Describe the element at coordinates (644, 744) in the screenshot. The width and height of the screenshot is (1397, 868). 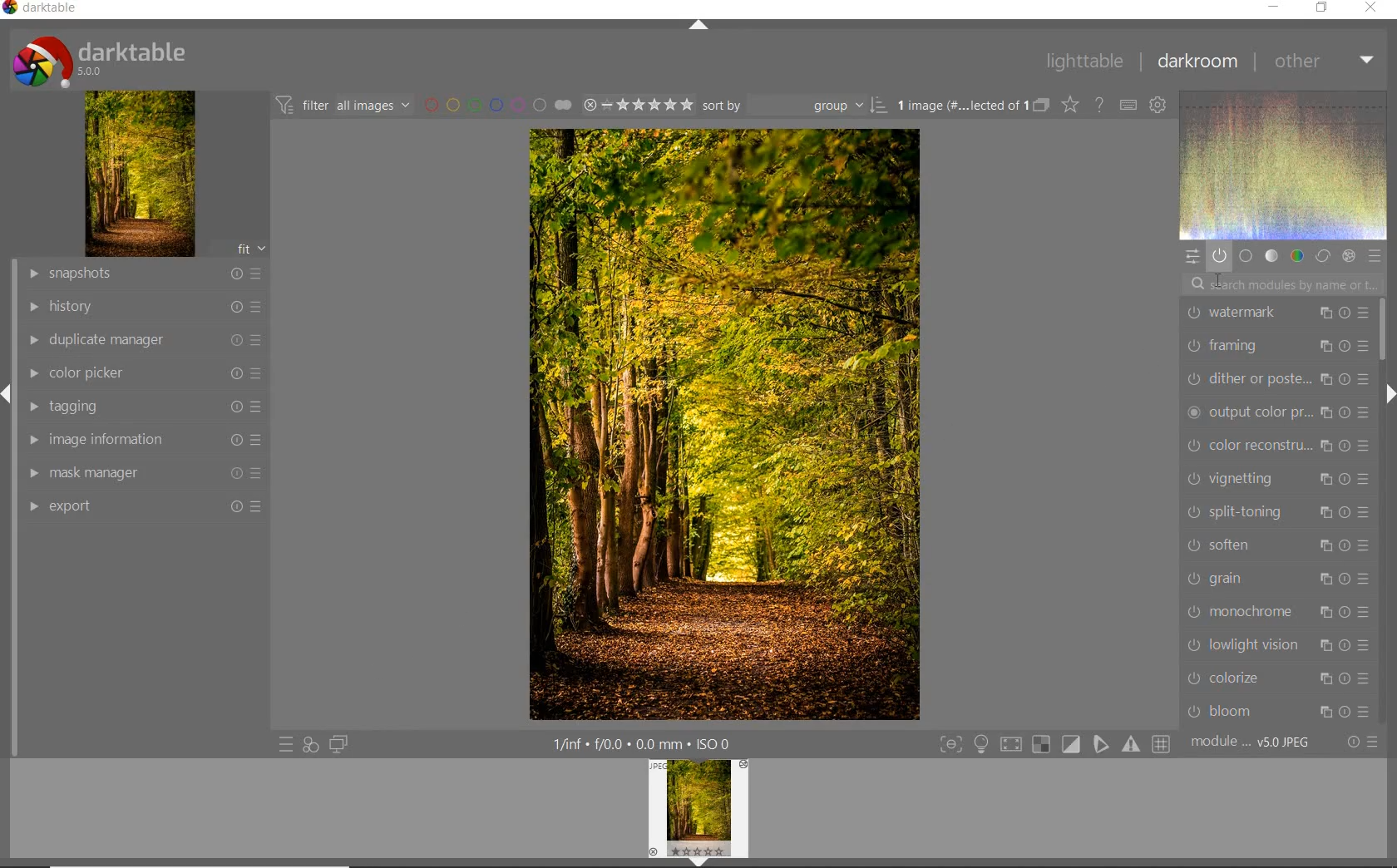
I see `other interface detail` at that location.